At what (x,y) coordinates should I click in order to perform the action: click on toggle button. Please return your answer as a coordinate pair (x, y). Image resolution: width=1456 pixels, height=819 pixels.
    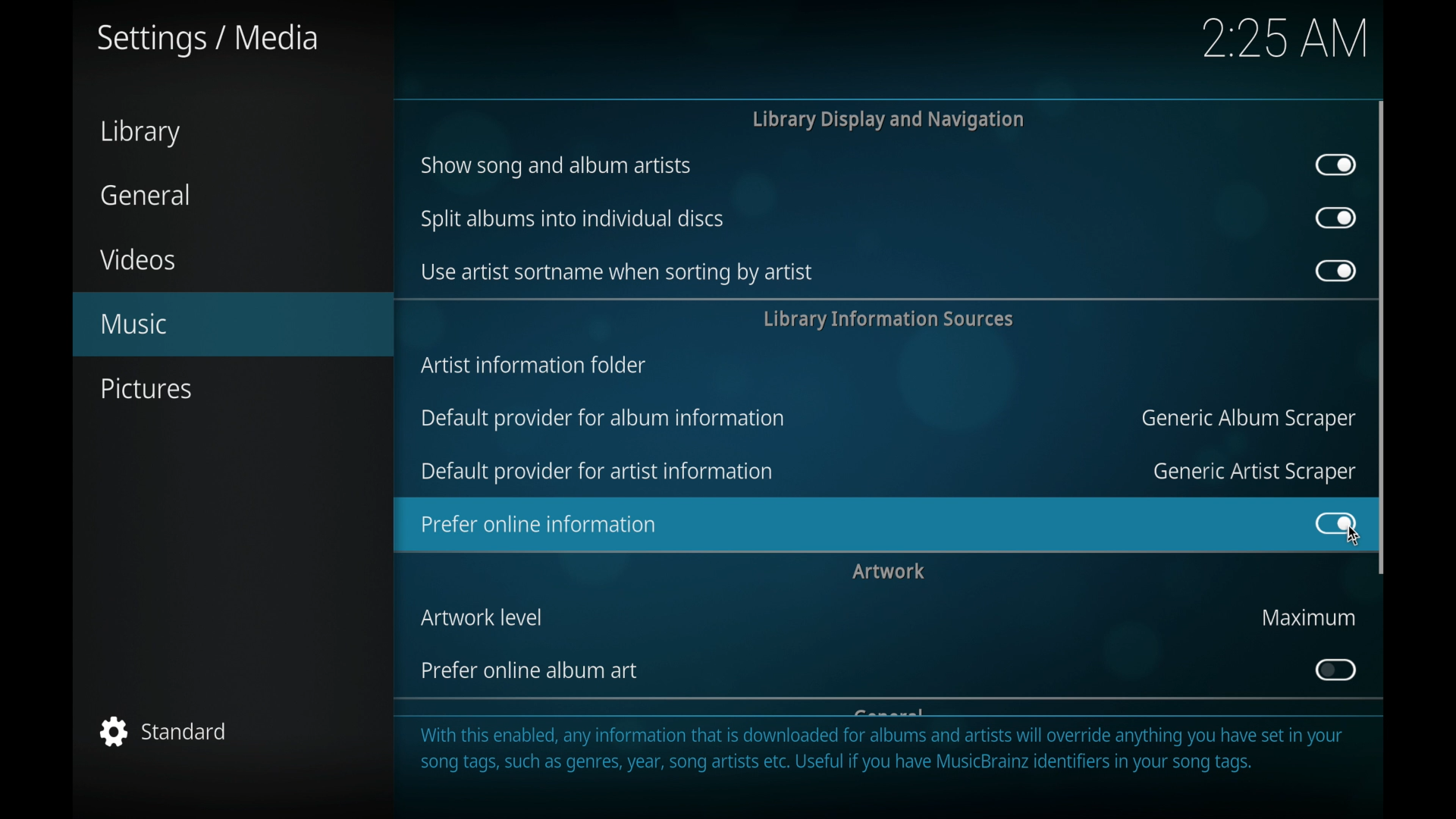
    Looking at the image, I should click on (1336, 271).